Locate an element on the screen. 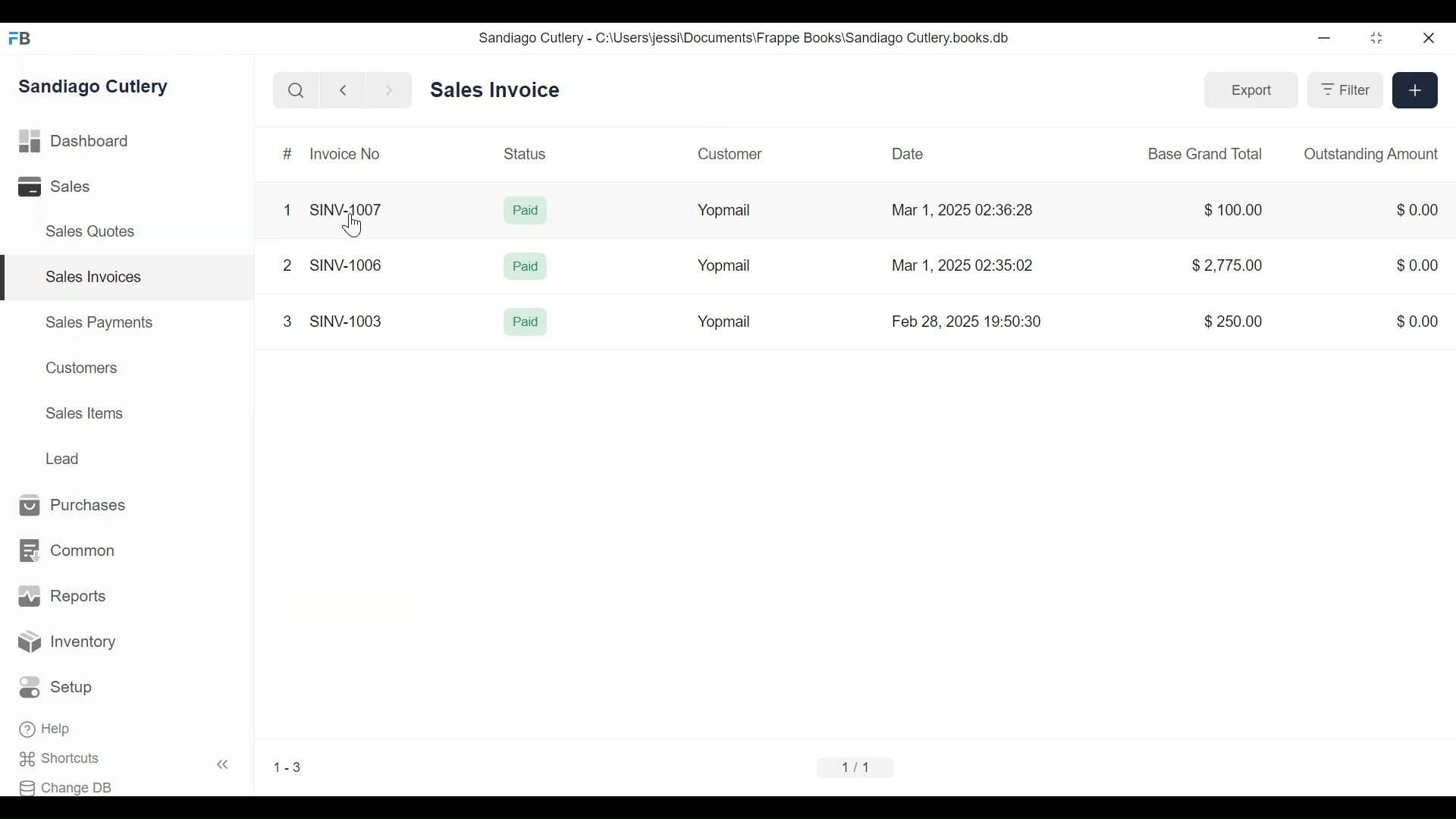 The width and height of the screenshot is (1456, 819). 3 is located at coordinates (287, 322).